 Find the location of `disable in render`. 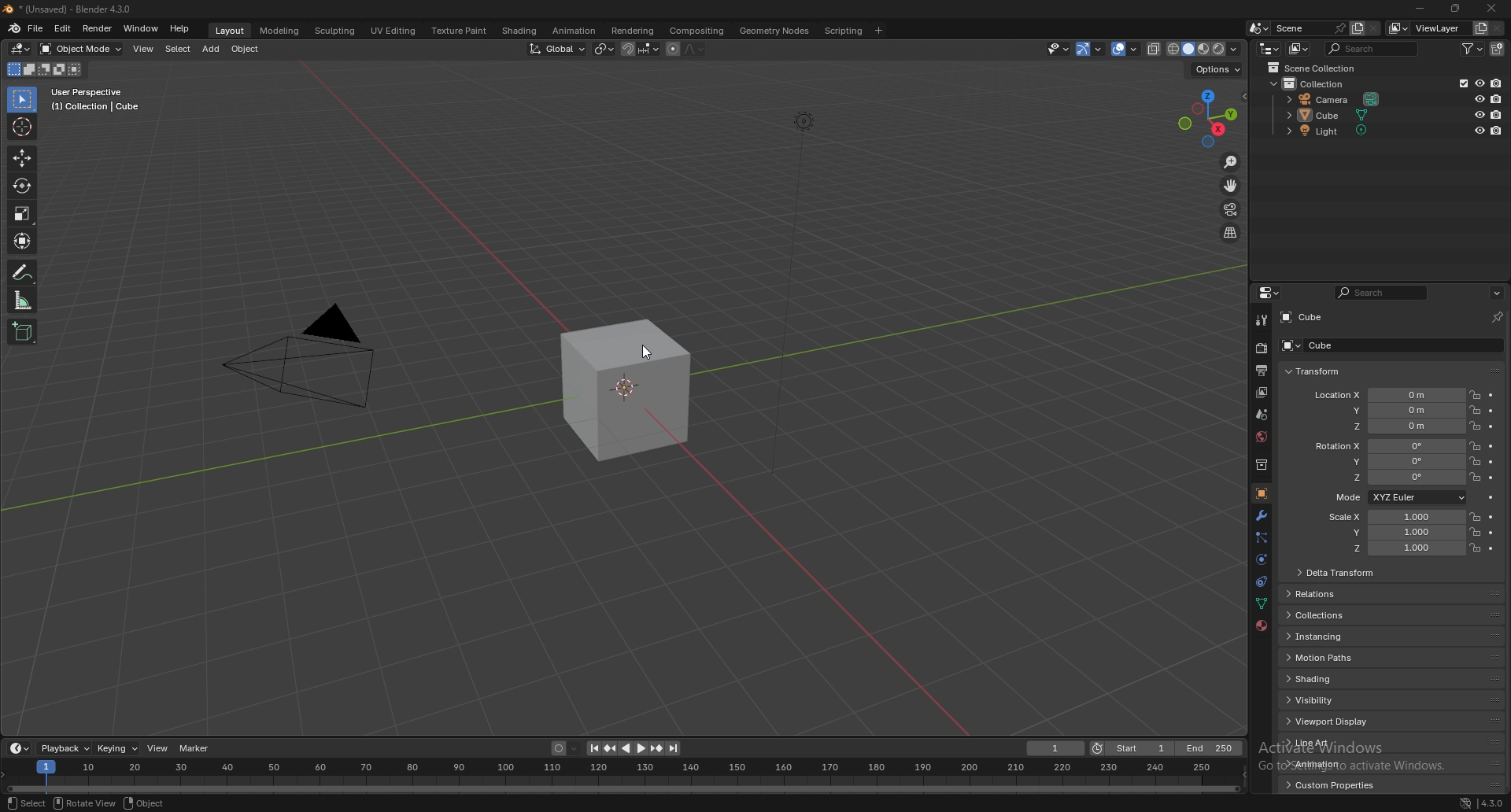

disable in render is located at coordinates (1500, 83).